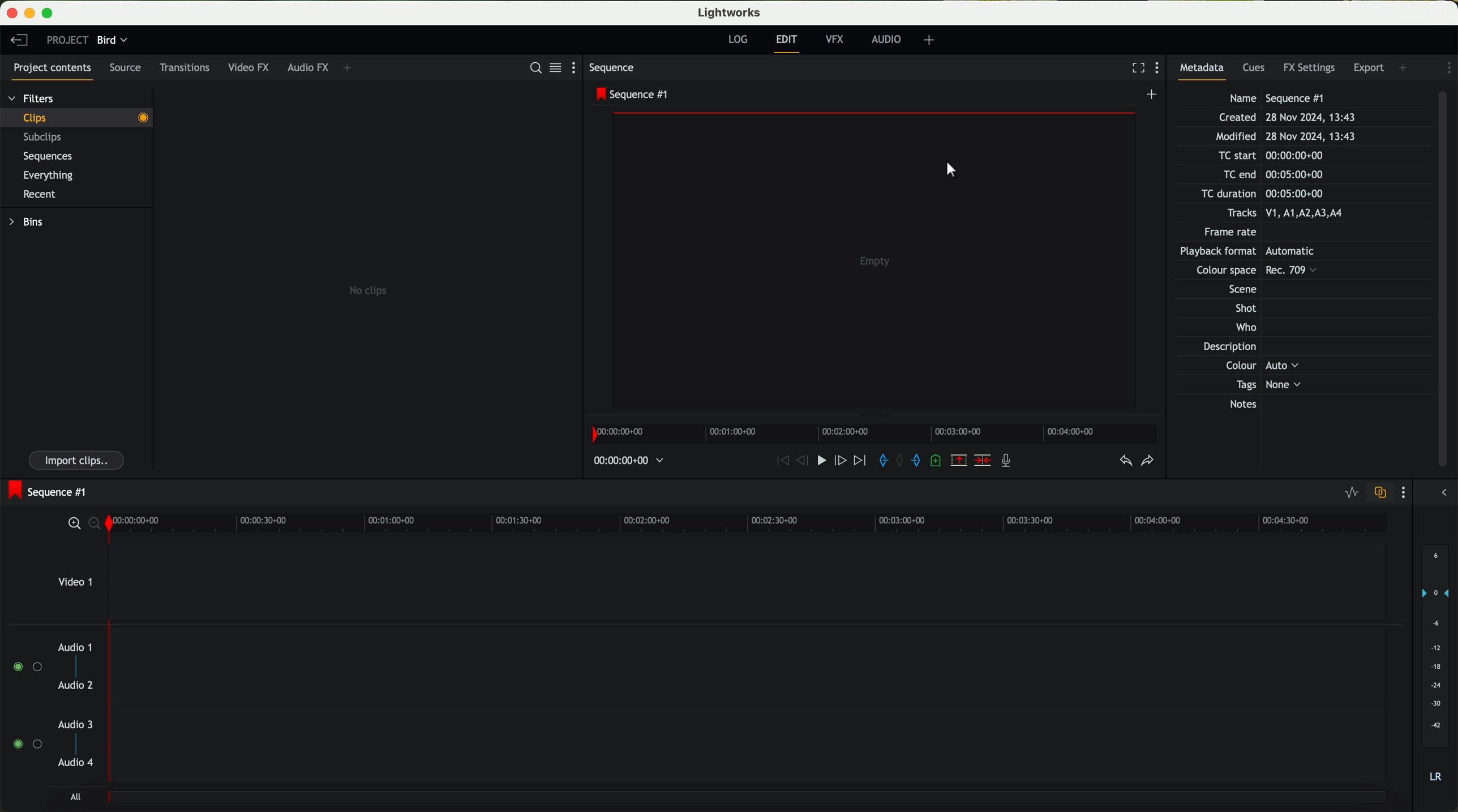 The height and width of the screenshot is (812, 1458). What do you see at coordinates (1123, 461) in the screenshot?
I see `undo` at bounding box center [1123, 461].